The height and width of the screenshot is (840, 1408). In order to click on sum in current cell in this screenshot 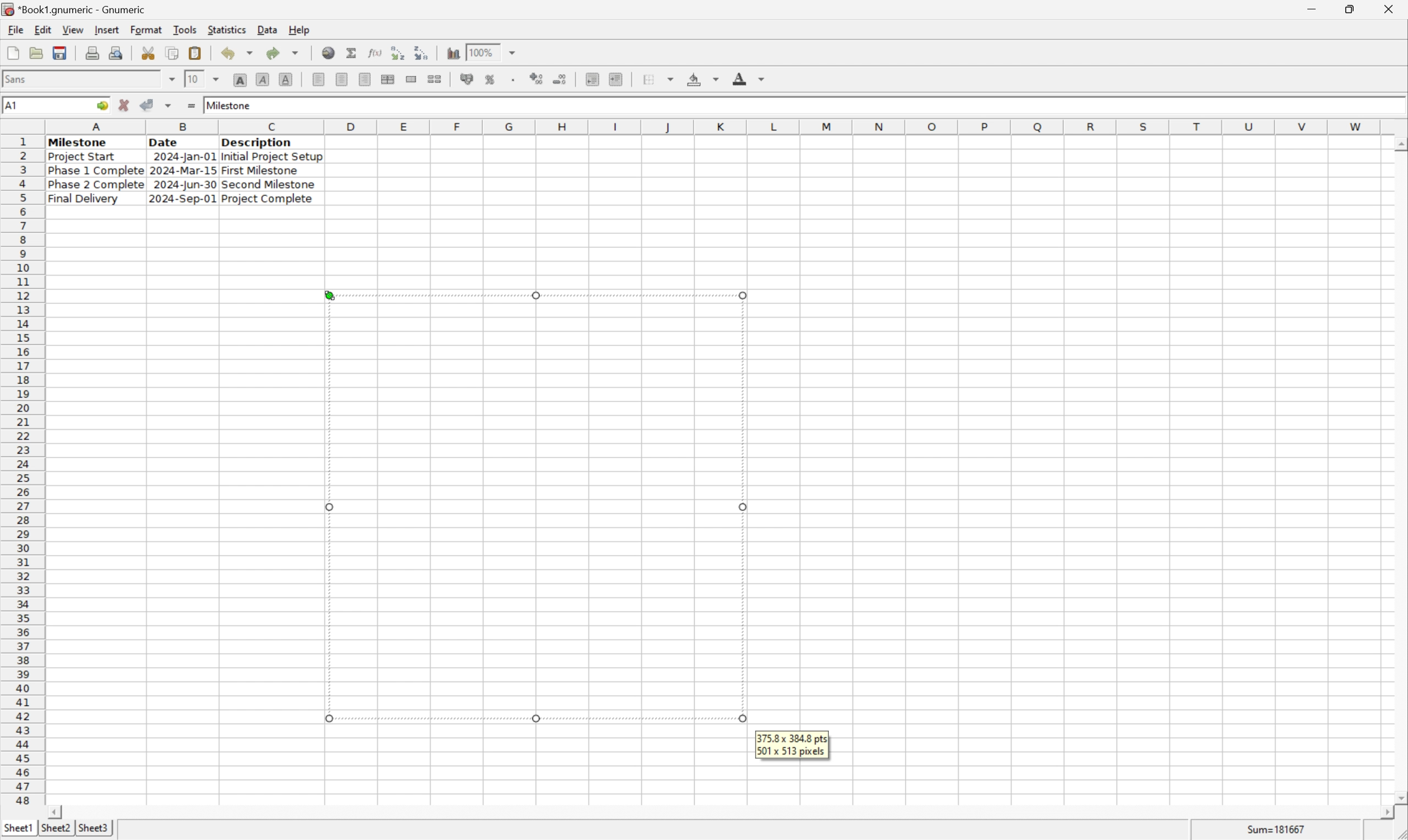, I will do `click(353, 53)`.